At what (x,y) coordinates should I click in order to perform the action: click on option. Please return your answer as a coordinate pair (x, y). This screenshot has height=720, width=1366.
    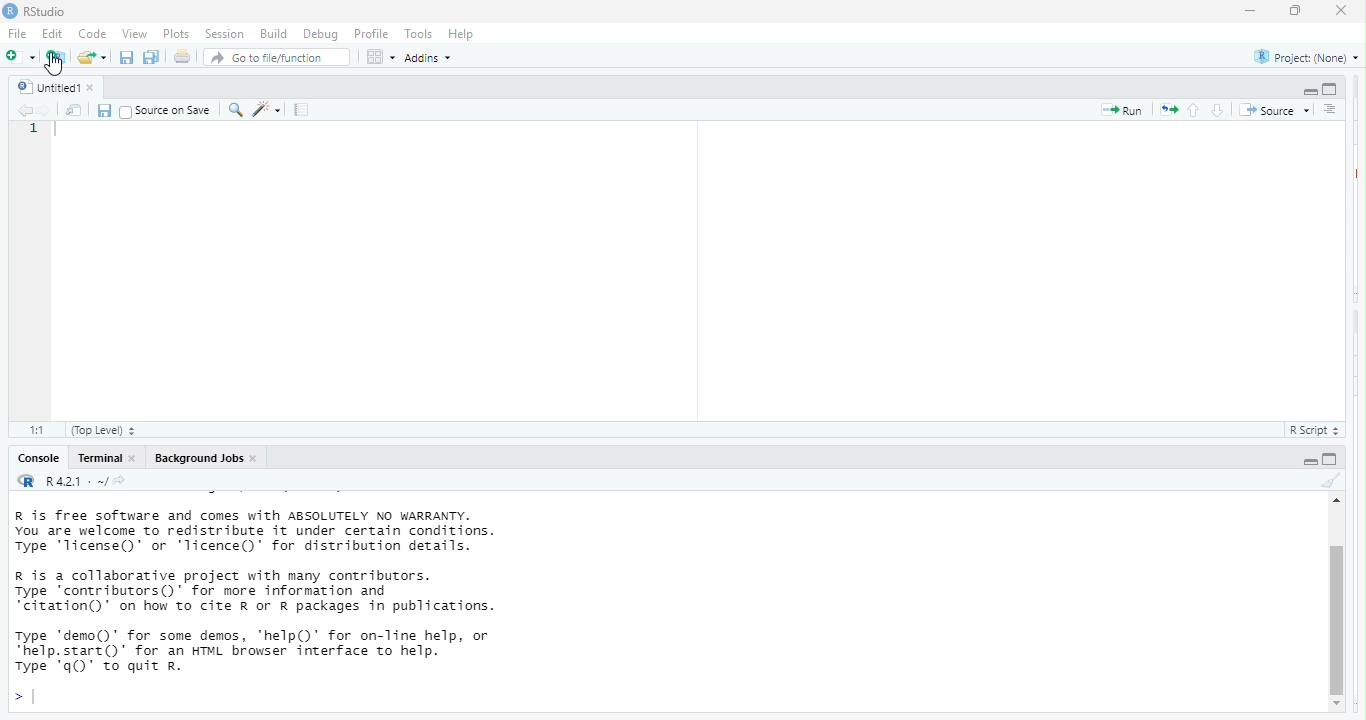
    Looking at the image, I should click on (379, 57).